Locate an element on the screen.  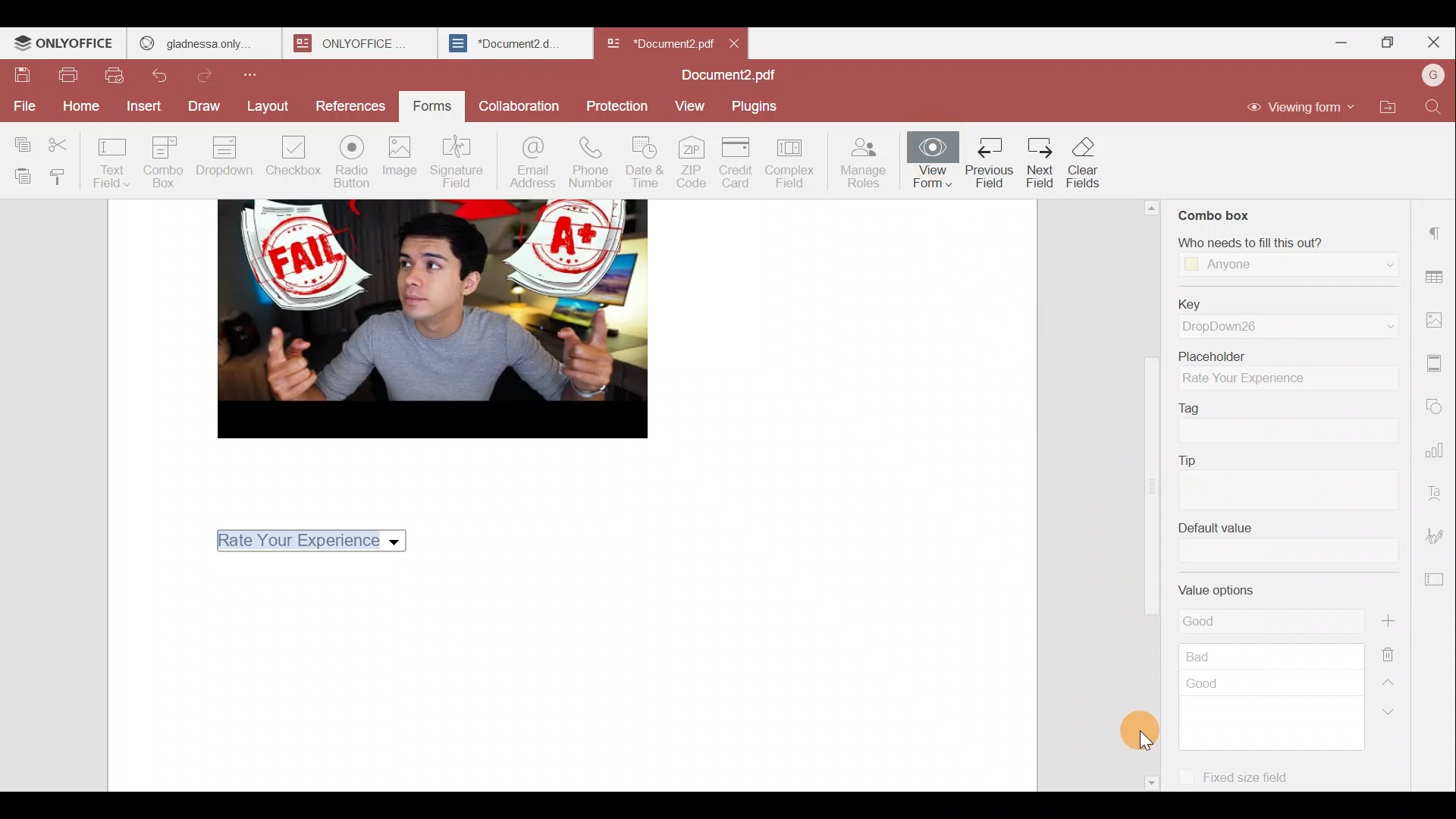
ONLYOFFICE is located at coordinates (64, 45).